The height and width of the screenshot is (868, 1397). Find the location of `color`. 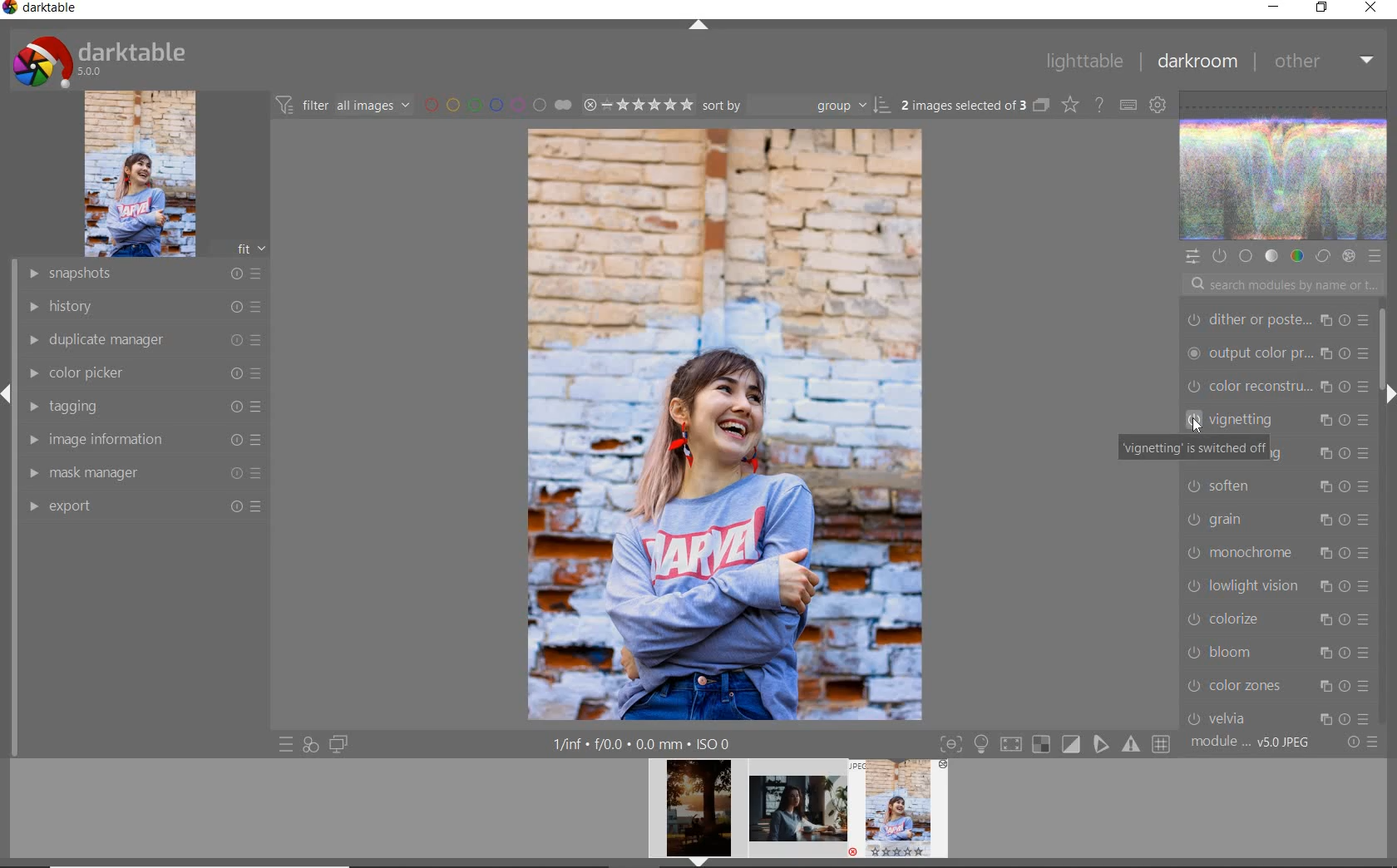

color is located at coordinates (1296, 255).